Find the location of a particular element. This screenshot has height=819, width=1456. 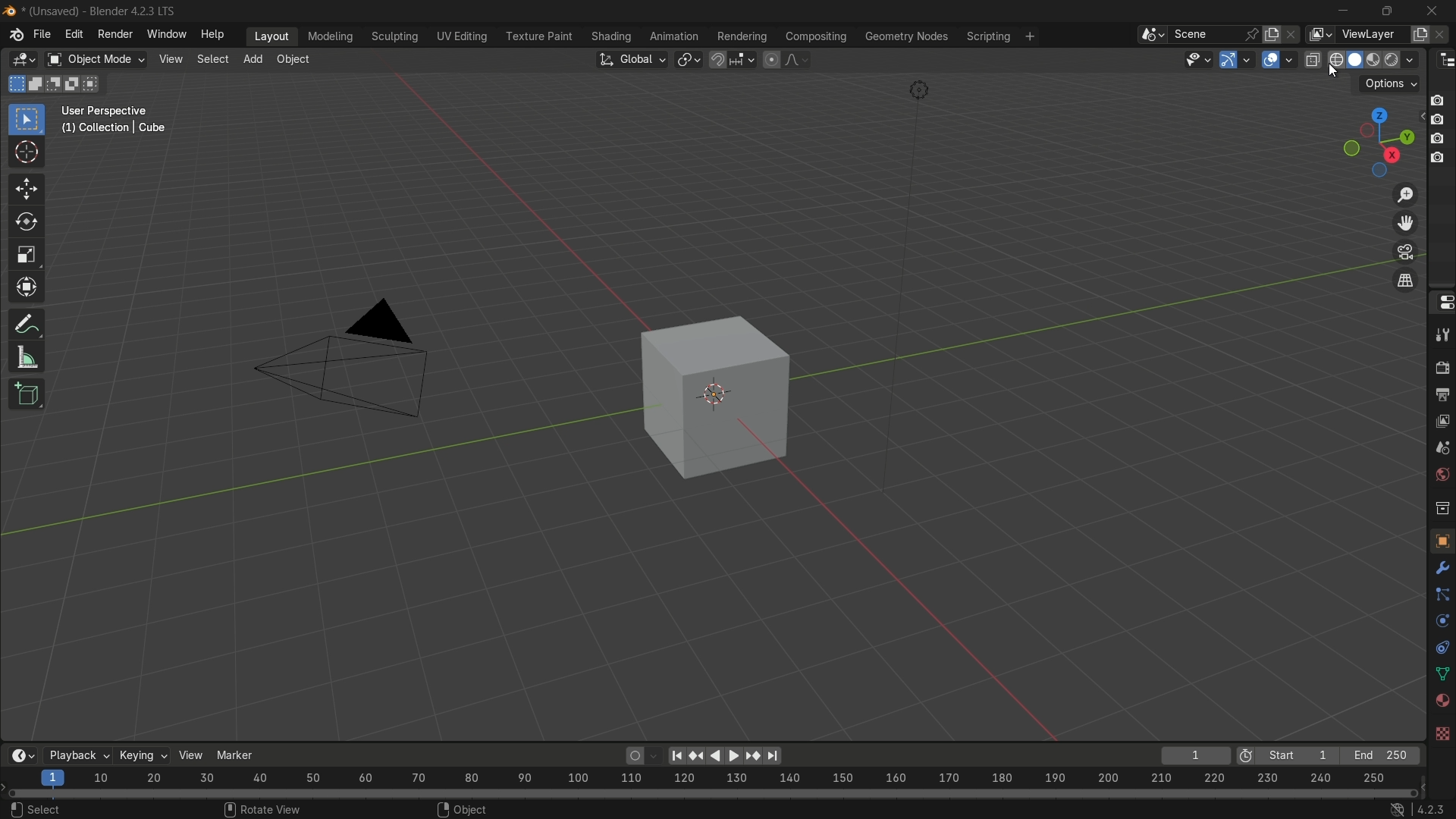

switch current view is located at coordinates (1406, 279).